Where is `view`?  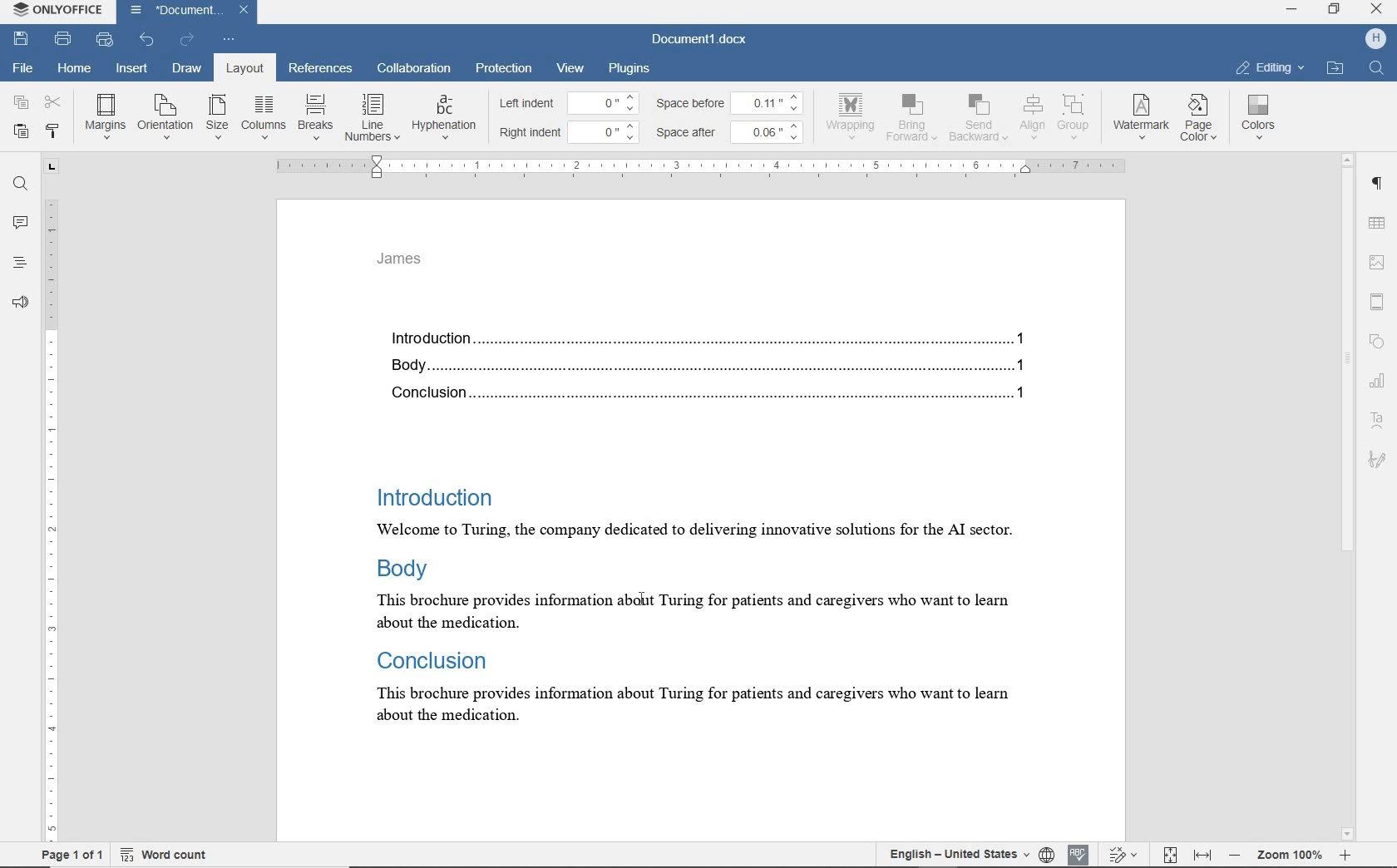 view is located at coordinates (570, 68).